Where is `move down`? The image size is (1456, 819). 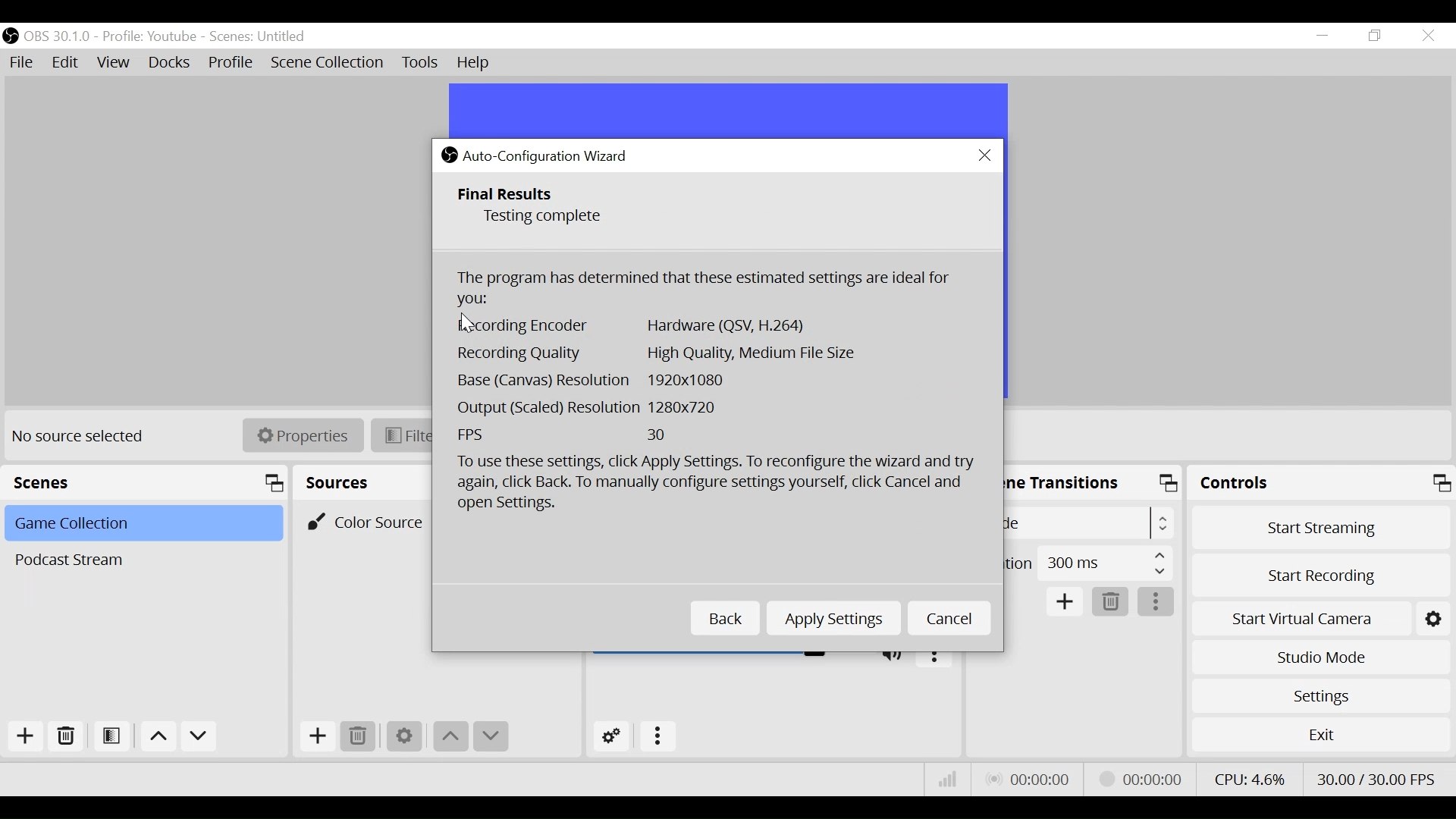
move down is located at coordinates (492, 738).